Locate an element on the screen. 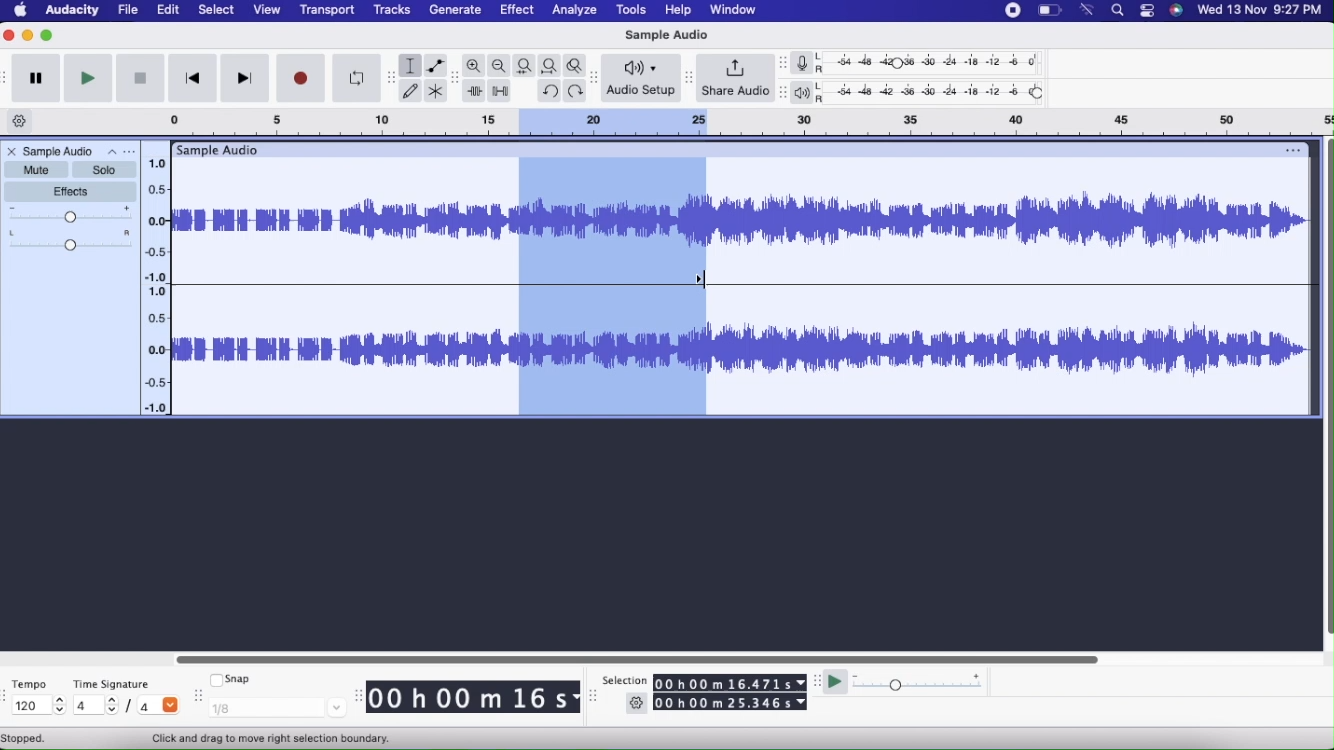 The width and height of the screenshot is (1334, 750). Envelope Tool is located at coordinates (436, 66).